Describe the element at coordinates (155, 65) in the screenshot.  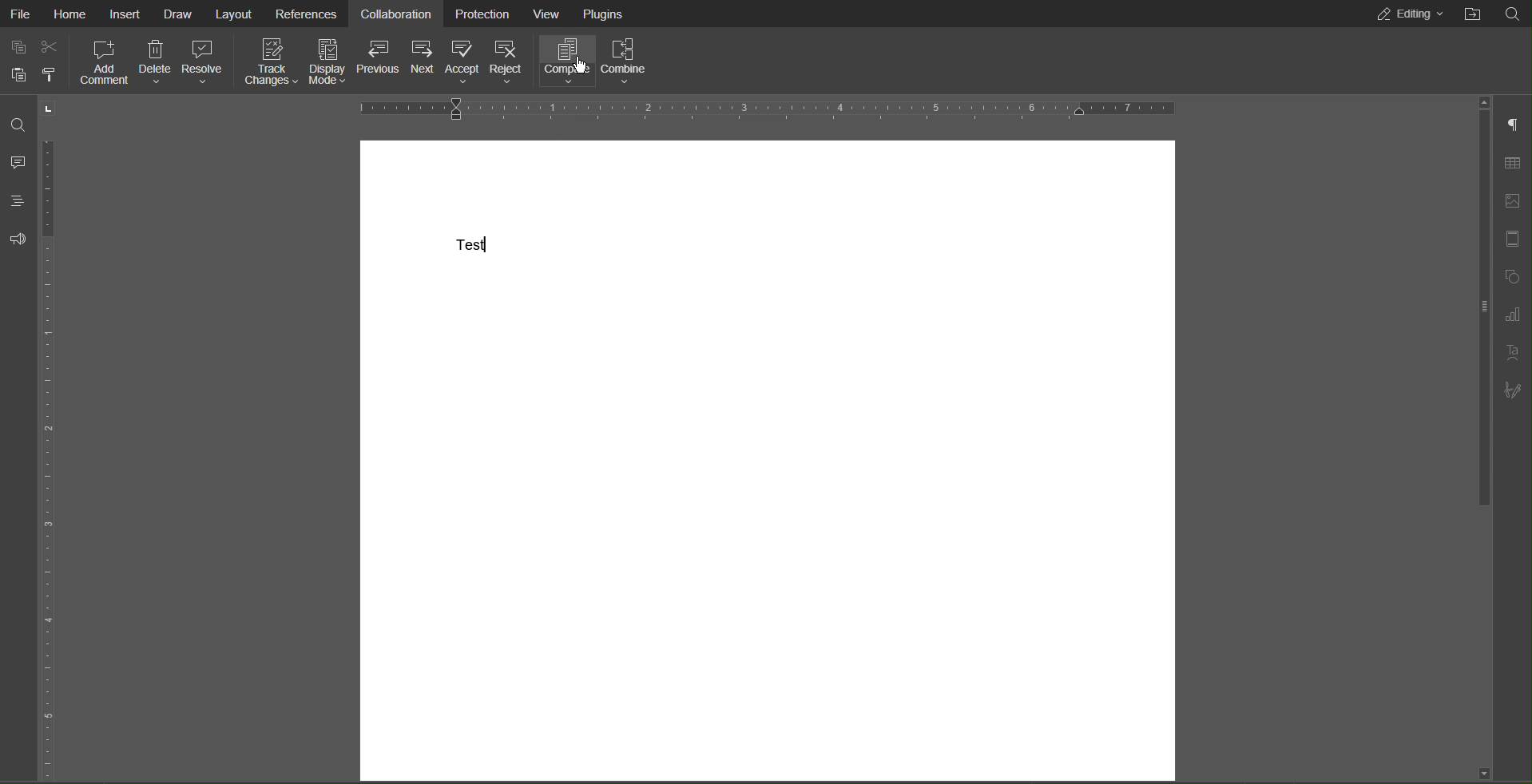
I see `Delete` at that location.